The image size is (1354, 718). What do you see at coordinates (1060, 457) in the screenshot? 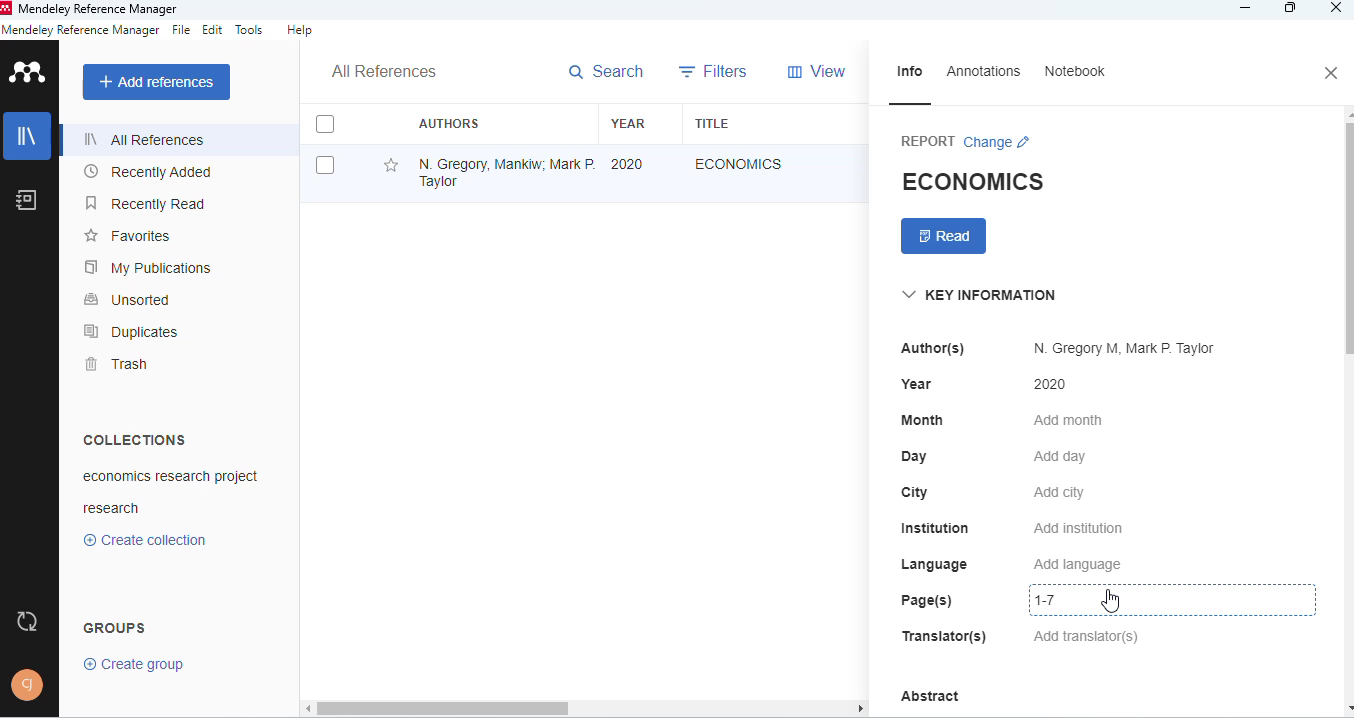
I see `add day` at bounding box center [1060, 457].